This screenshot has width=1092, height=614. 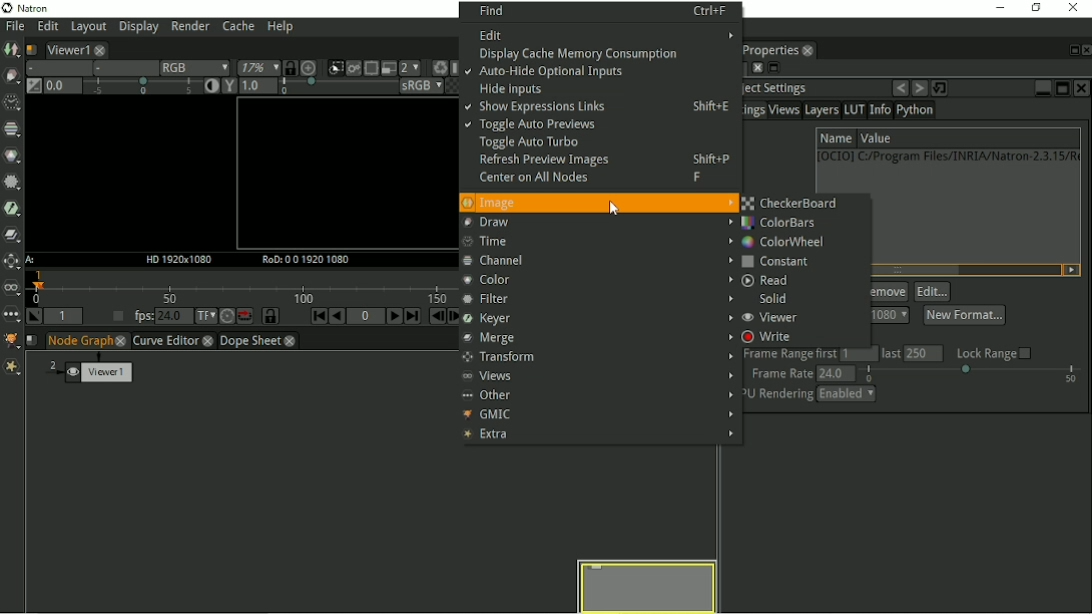 What do you see at coordinates (207, 87) in the screenshot?
I see `Auto contrast` at bounding box center [207, 87].